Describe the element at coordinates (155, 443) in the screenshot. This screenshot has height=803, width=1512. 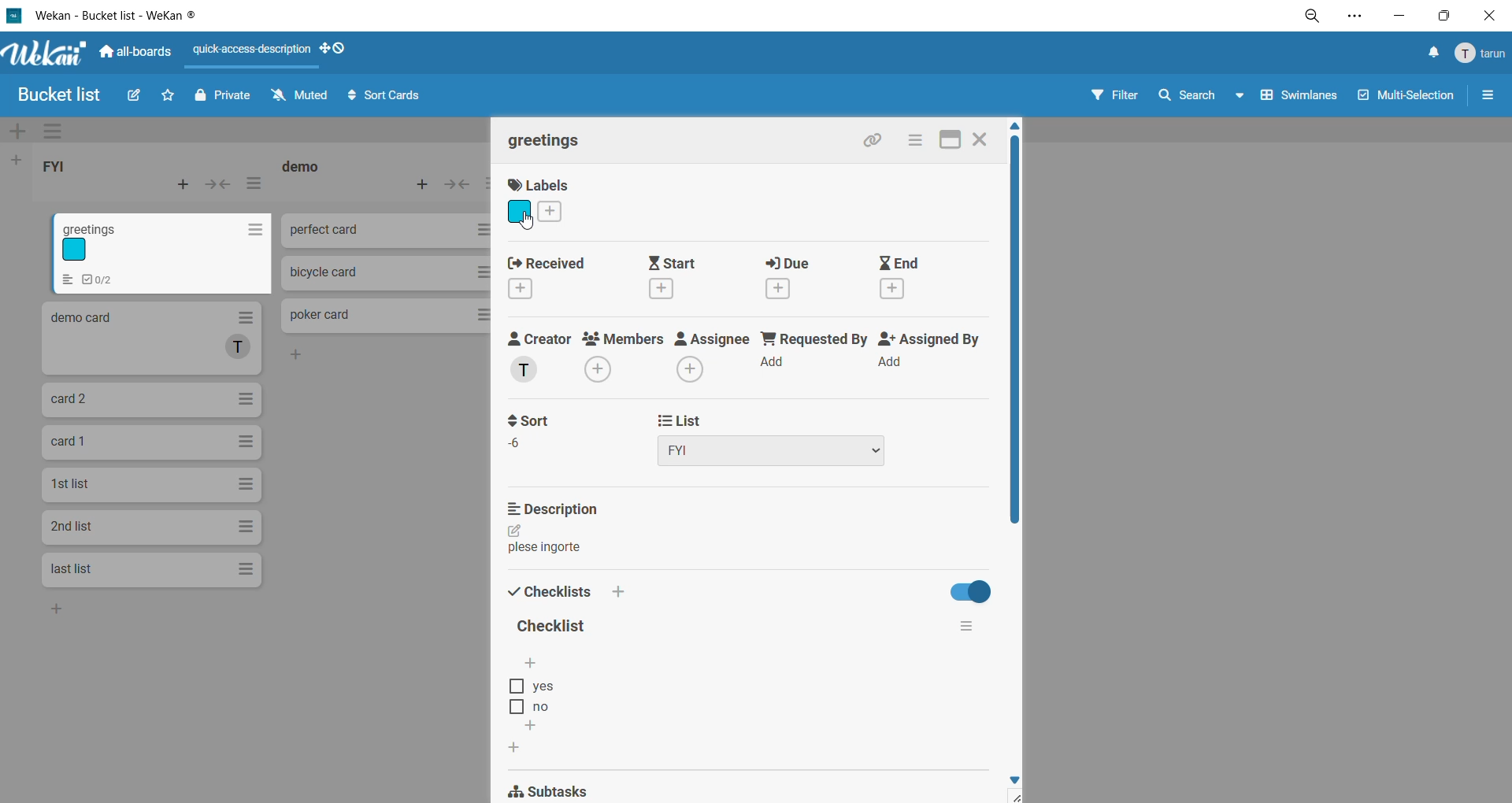
I see `card 1` at that location.